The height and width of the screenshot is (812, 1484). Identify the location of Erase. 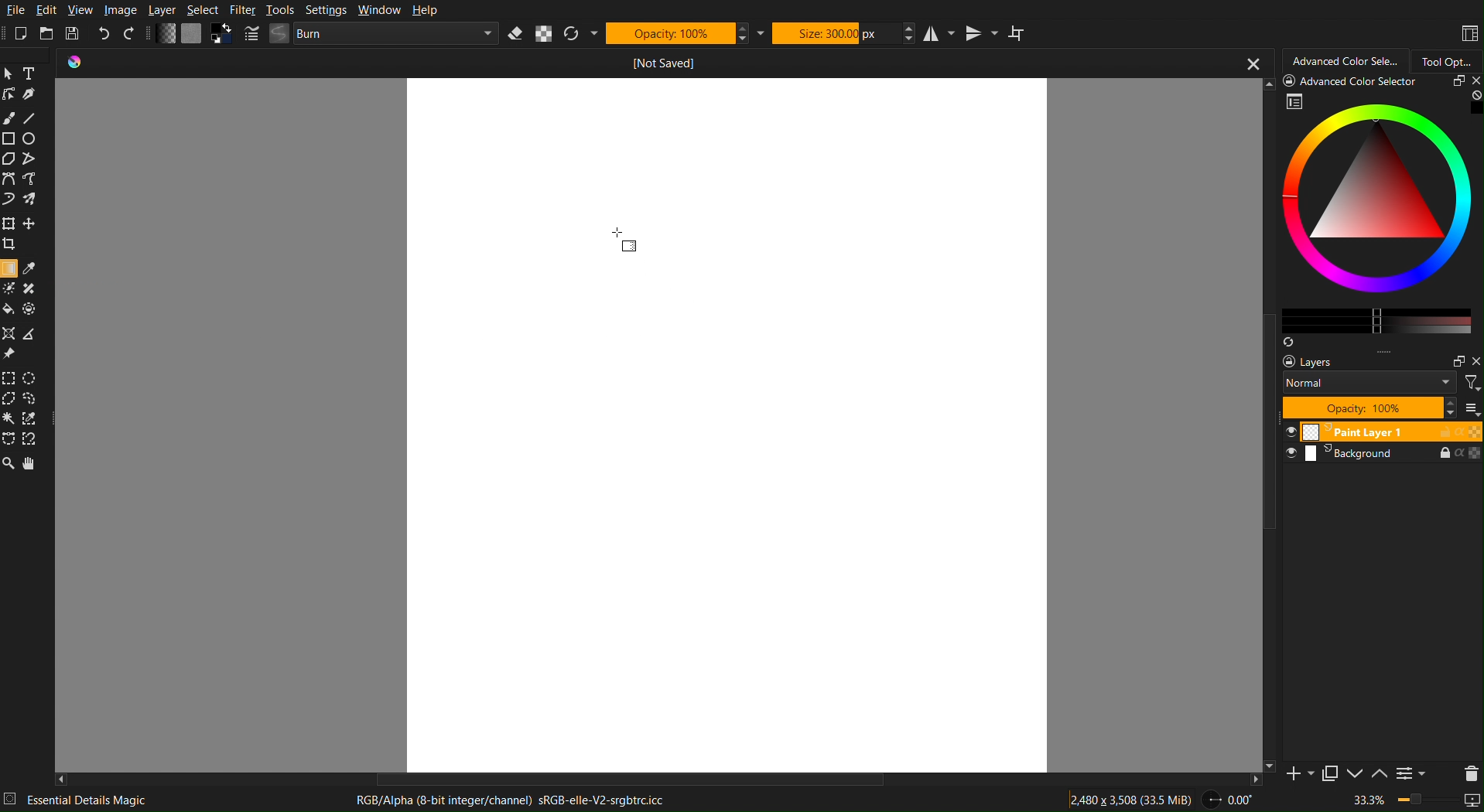
(518, 33).